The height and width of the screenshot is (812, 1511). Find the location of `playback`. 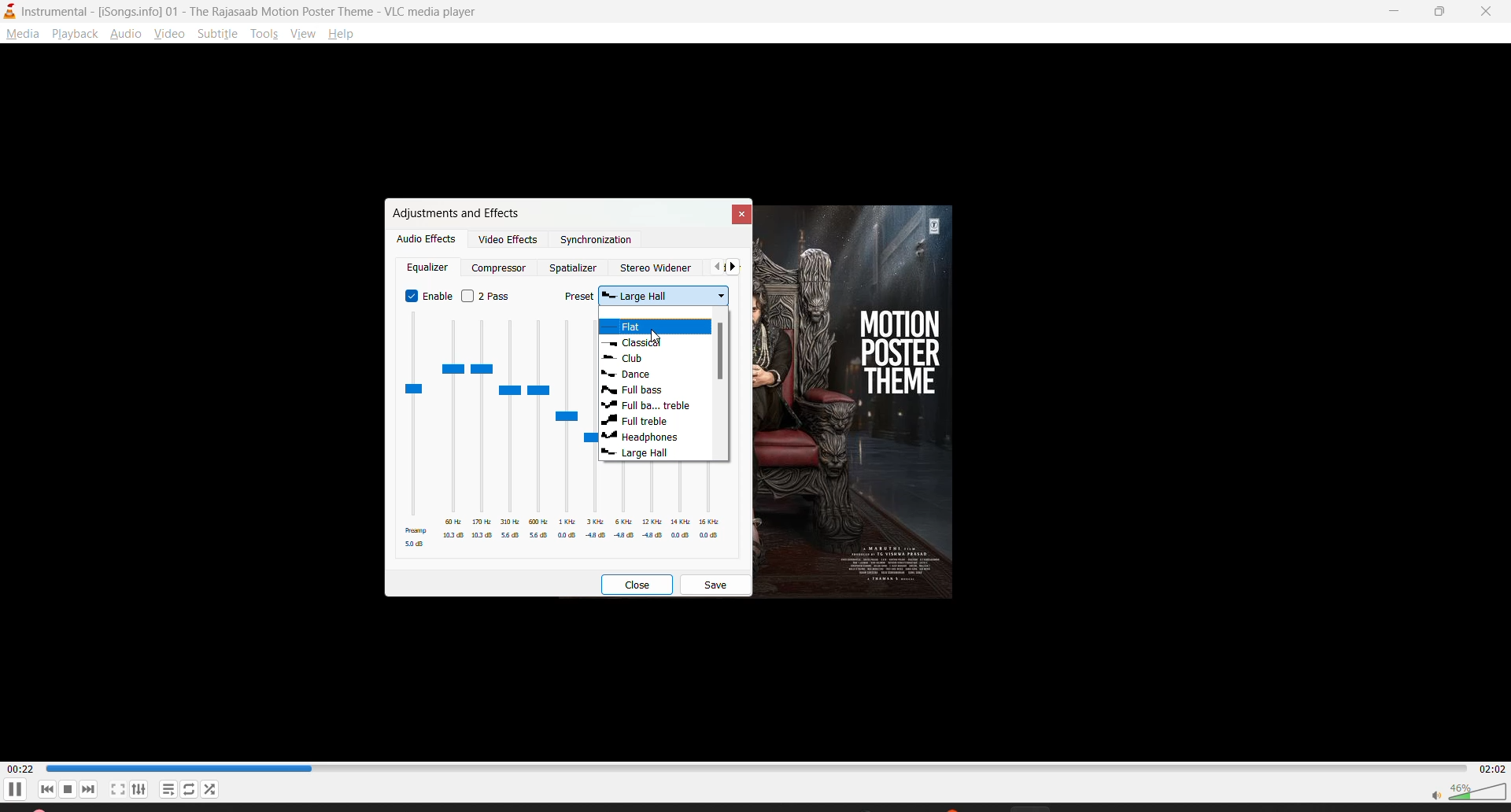

playback is located at coordinates (78, 35).